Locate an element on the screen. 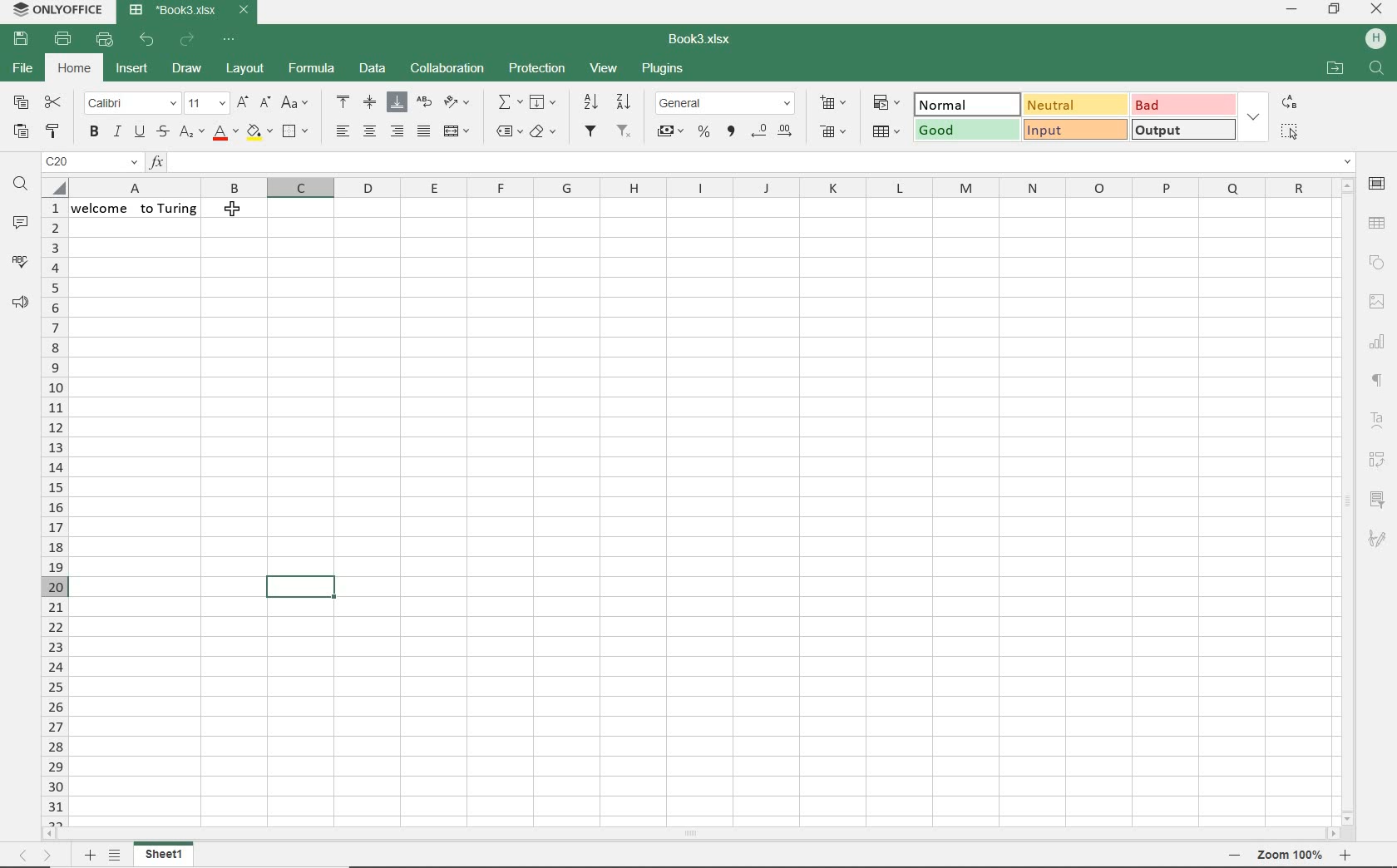 The image size is (1397, 868). OUTPUT is located at coordinates (1182, 130).